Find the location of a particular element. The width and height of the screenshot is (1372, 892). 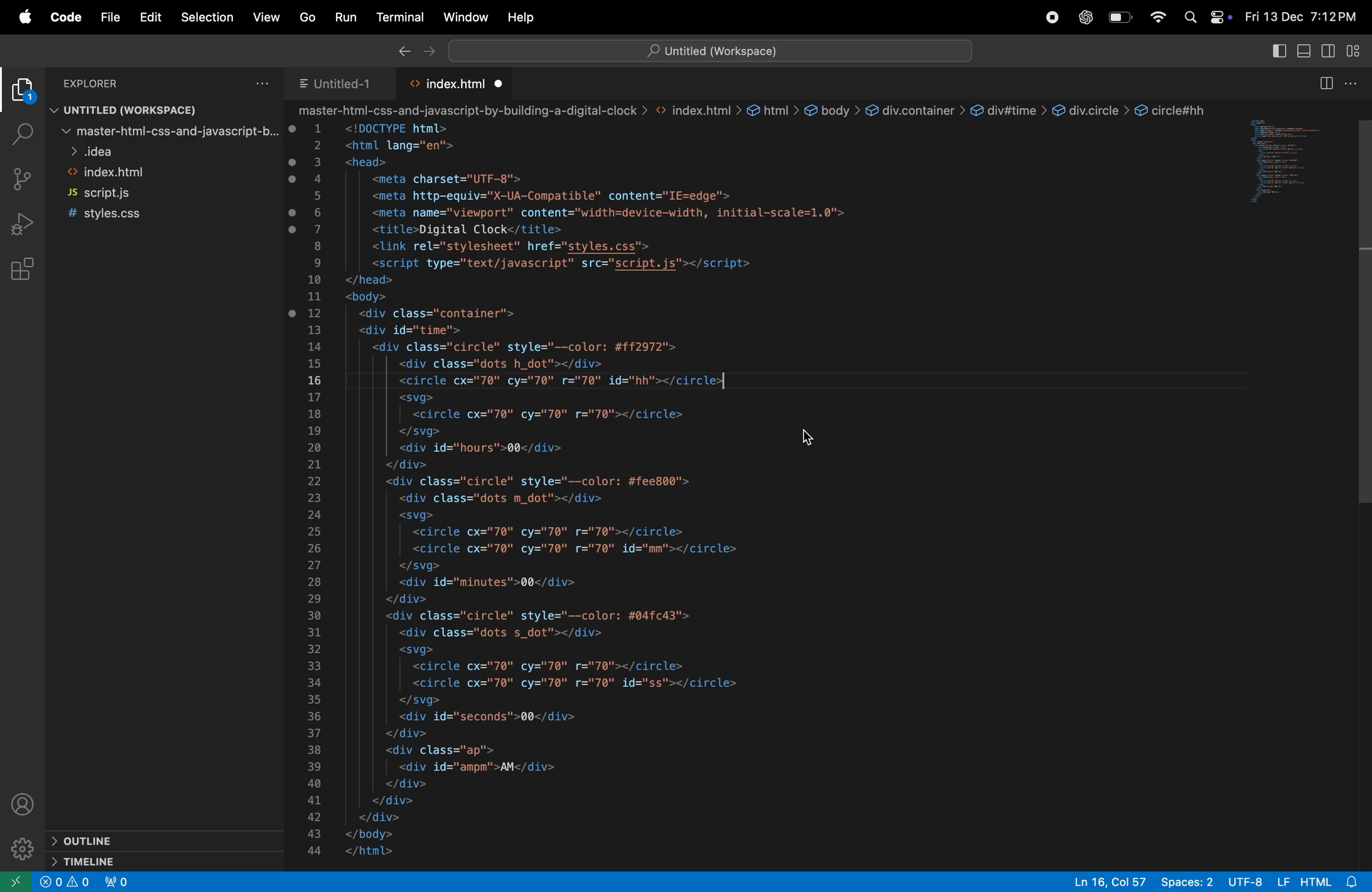

code is located at coordinates (66, 19).